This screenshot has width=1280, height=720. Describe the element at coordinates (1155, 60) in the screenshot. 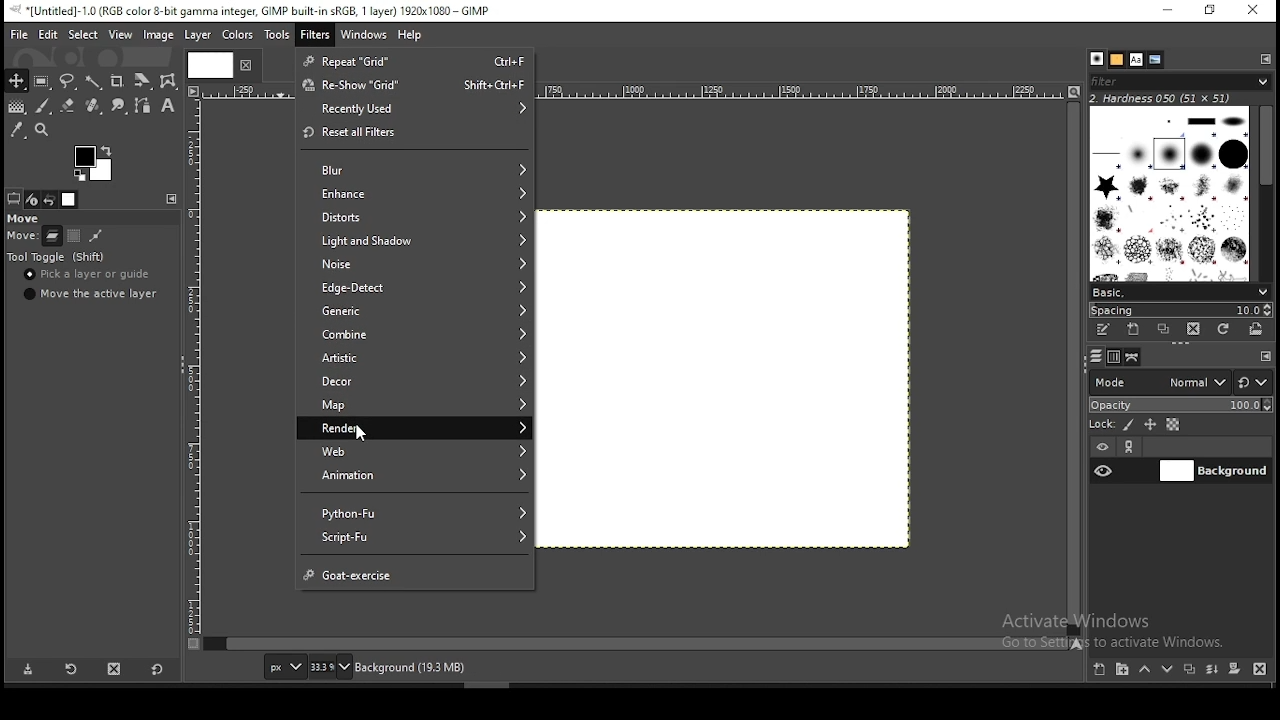

I see `document history` at that location.